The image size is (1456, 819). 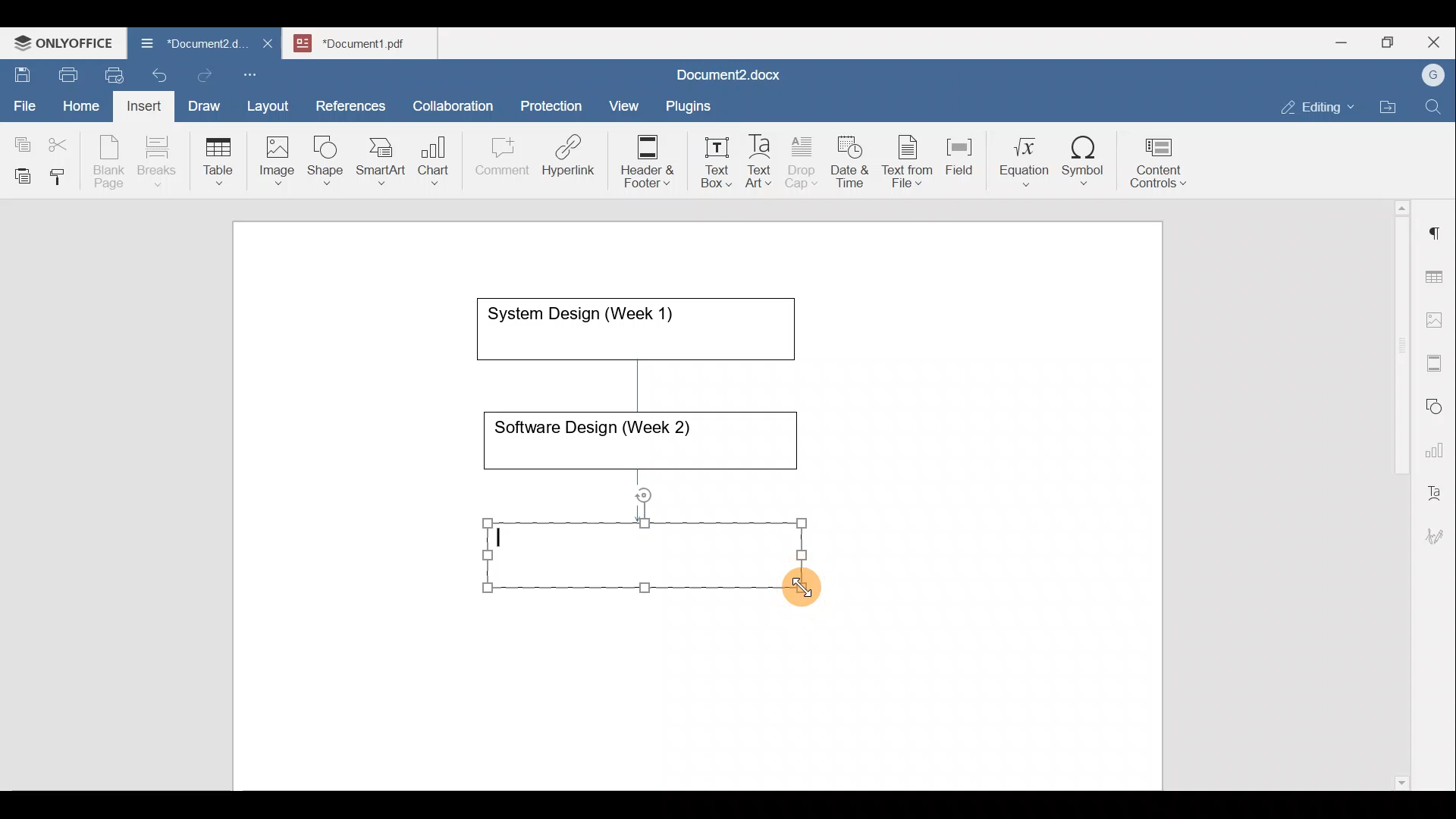 I want to click on Redo, so click(x=204, y=76).